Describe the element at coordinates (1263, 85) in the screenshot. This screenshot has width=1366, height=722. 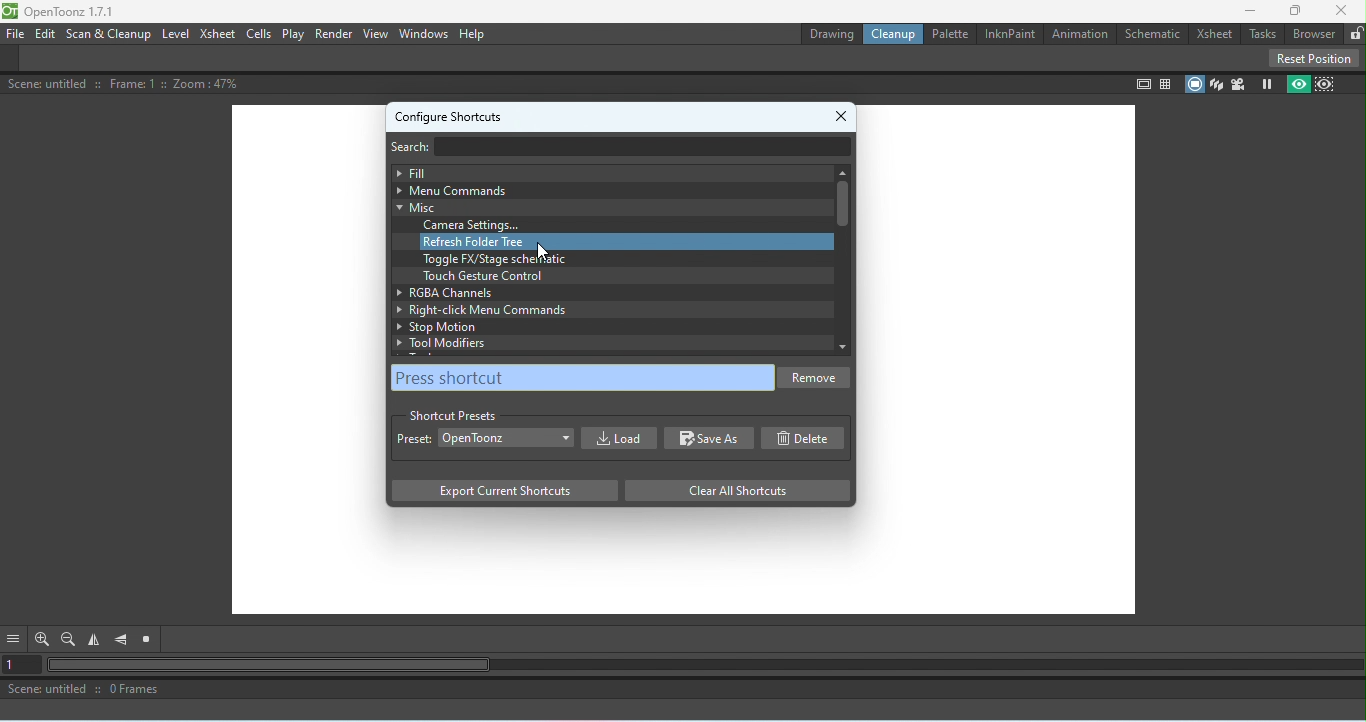
I see `Freeze` at that location.